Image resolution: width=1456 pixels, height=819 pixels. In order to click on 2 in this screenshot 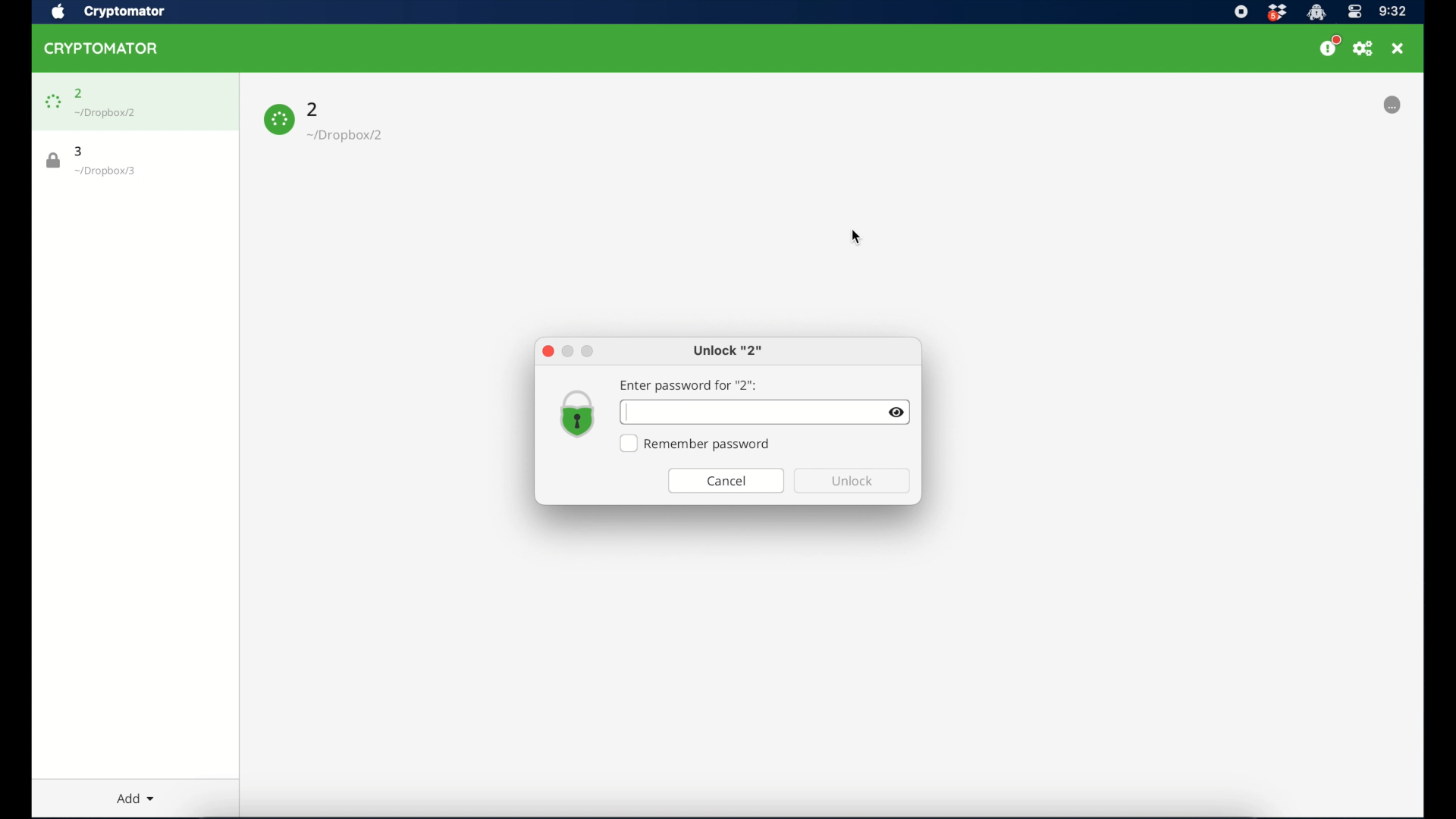, I will do `click(314, 109)`.